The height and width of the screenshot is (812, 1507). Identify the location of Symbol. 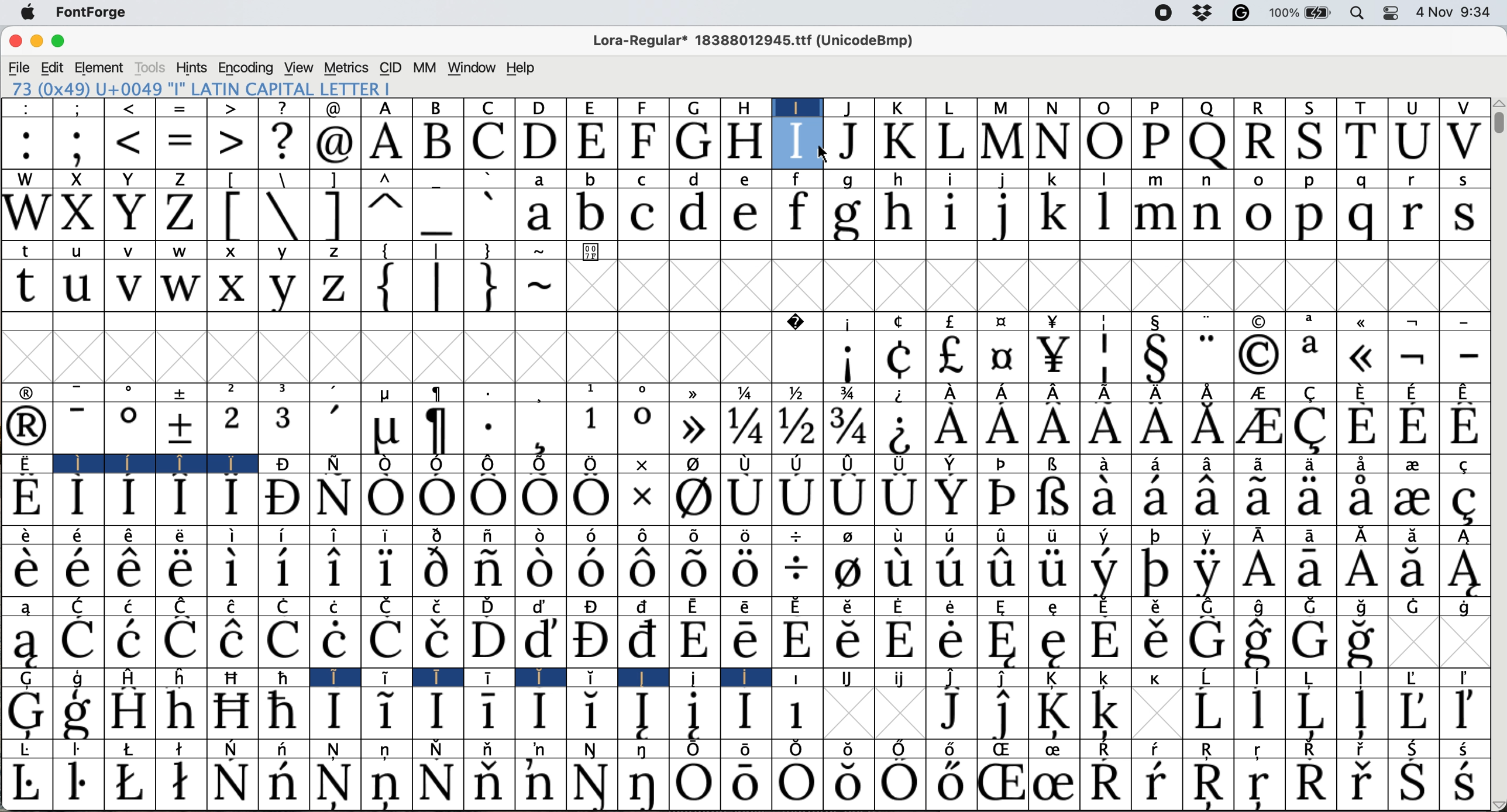
(1364, 535).